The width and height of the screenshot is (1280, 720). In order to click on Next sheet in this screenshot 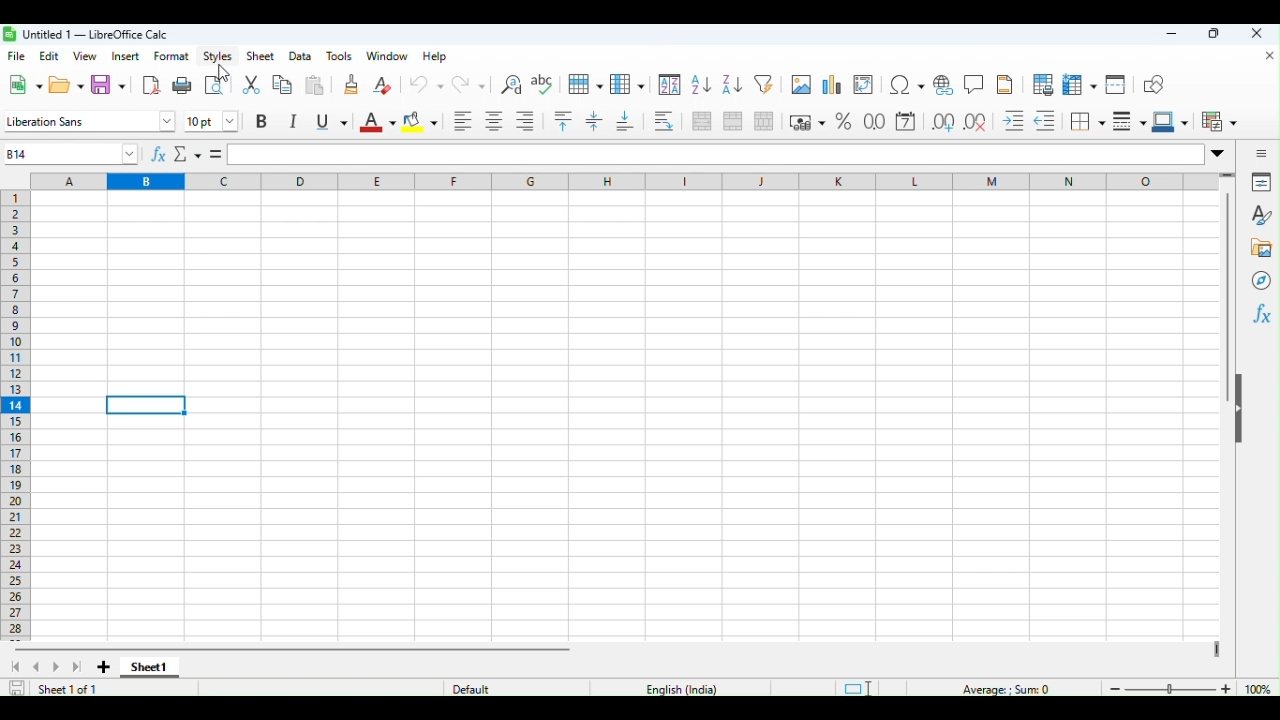, I will do `click(71, 667)`.